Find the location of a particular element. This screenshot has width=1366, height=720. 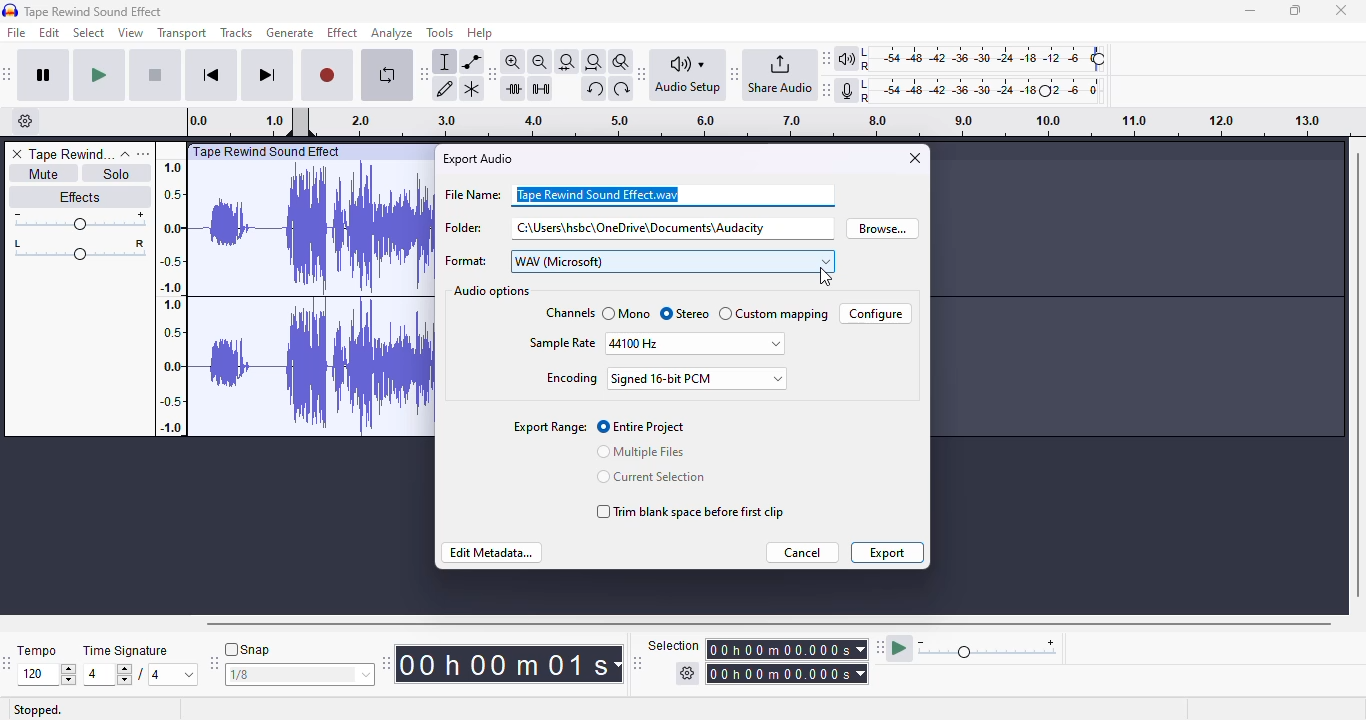

help is located at coordinates (480, 33).